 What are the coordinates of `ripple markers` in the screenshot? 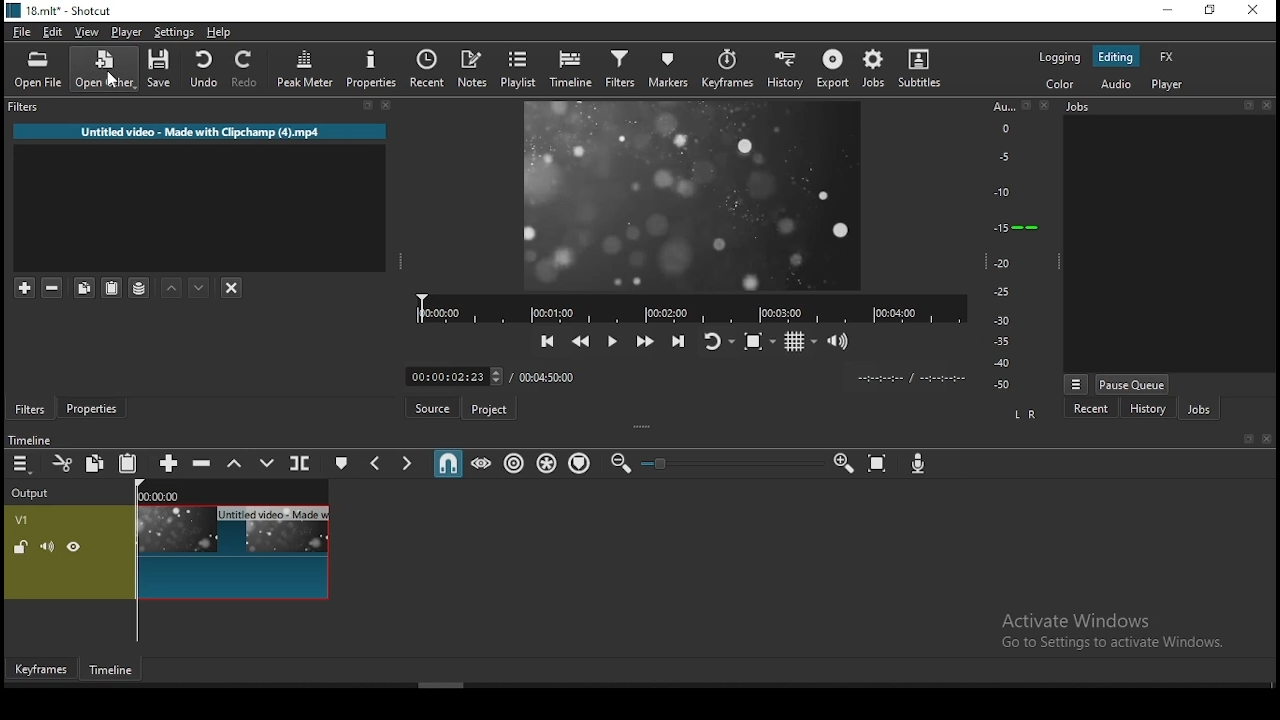 It's located at (579, 464).